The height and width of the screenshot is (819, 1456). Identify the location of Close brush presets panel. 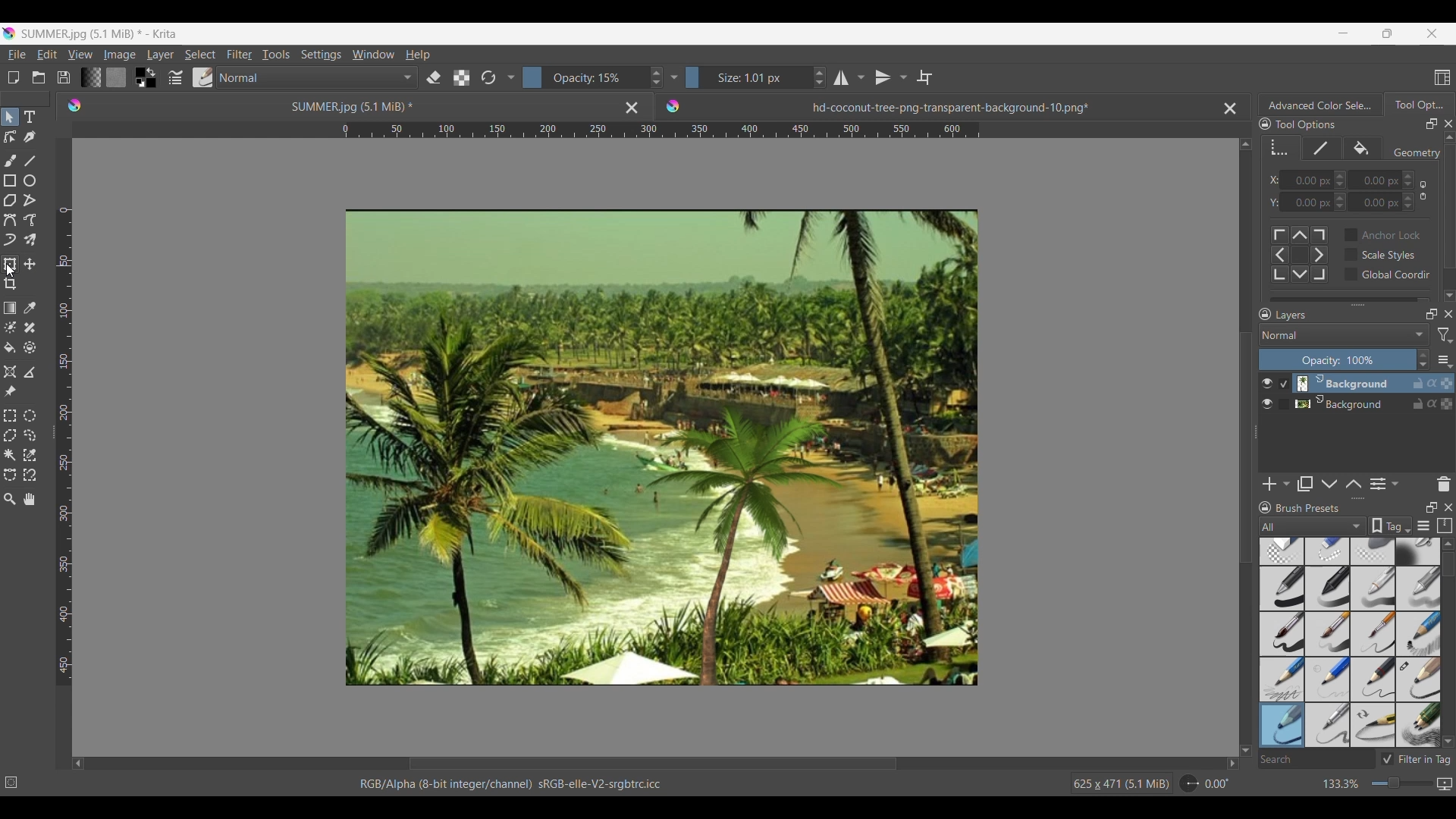
(1448, 507).